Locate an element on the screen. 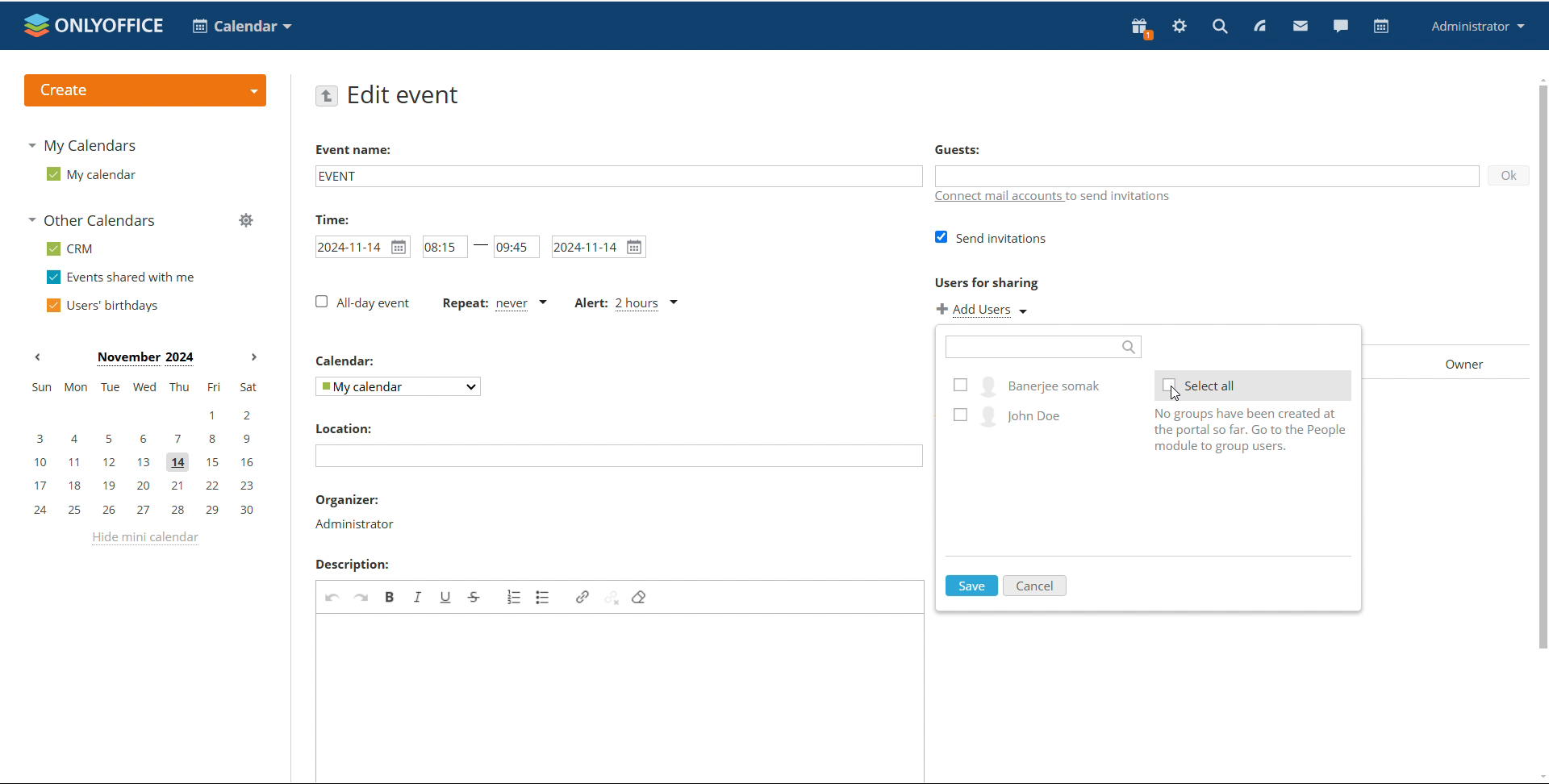 The height and width of the screenshot is (784, 1549). my calendar is located at coordinates (92, 173).